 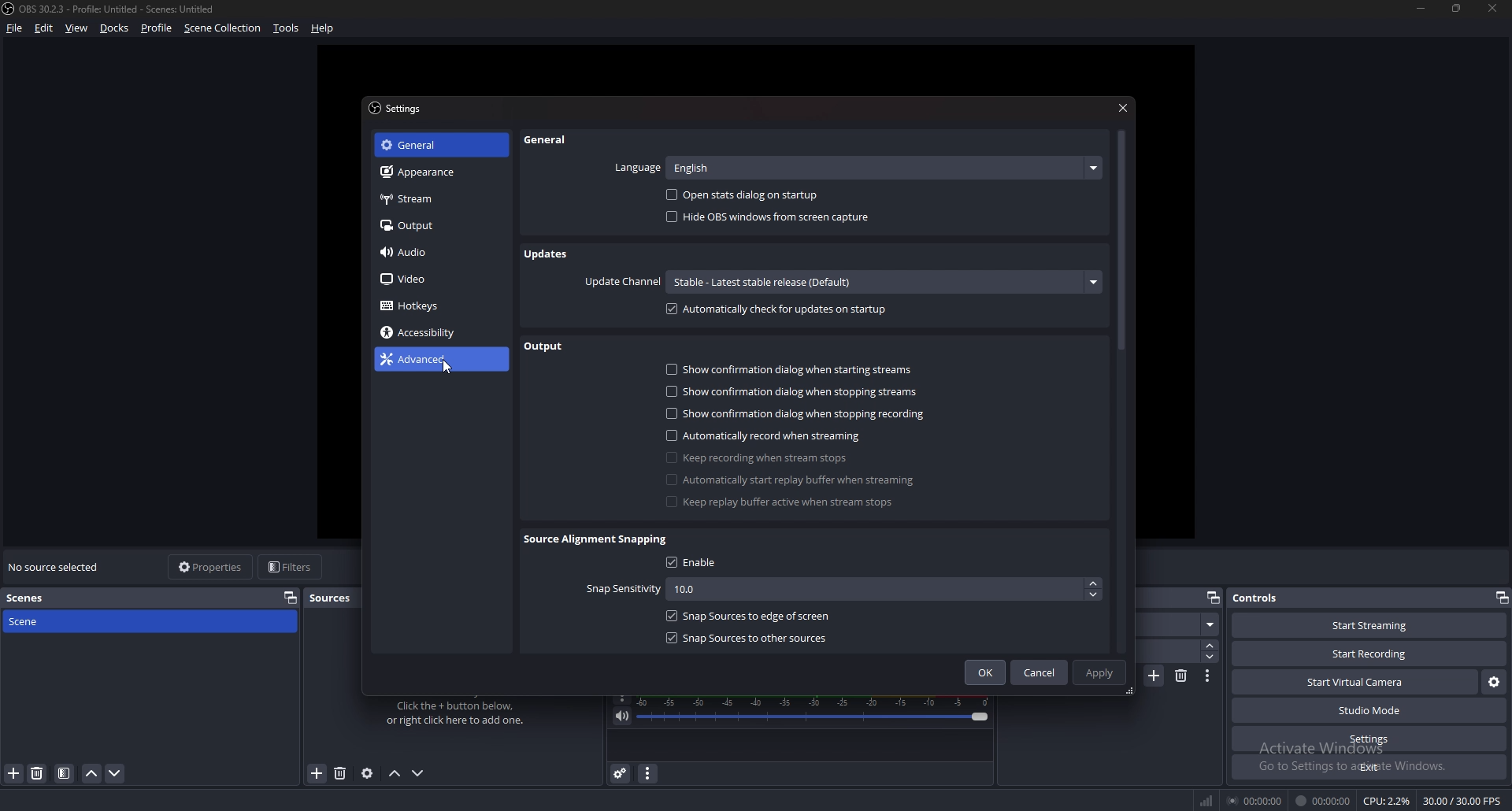 What do you see at coordinates (159, 28) in the screenshot?
I see `profile` at bounding box center [159, 28].